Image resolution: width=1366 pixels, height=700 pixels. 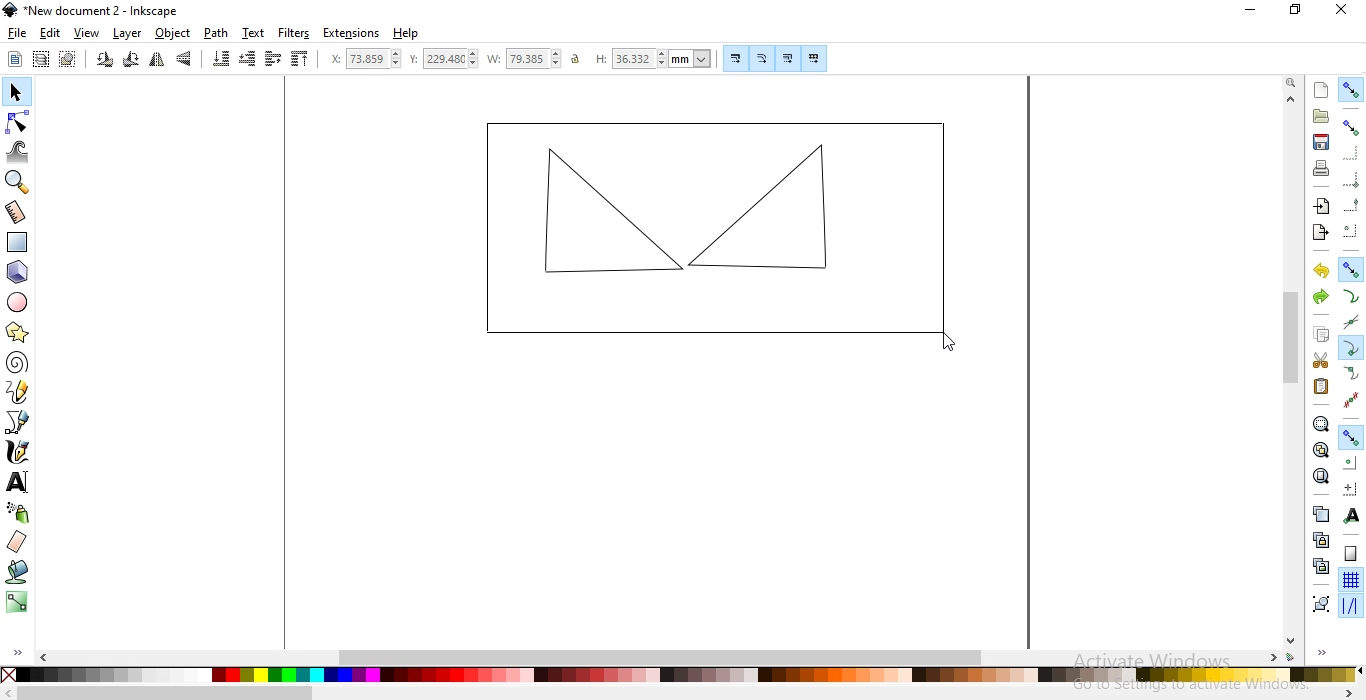 I want to click on export this document, so click(x=1320, y=231).